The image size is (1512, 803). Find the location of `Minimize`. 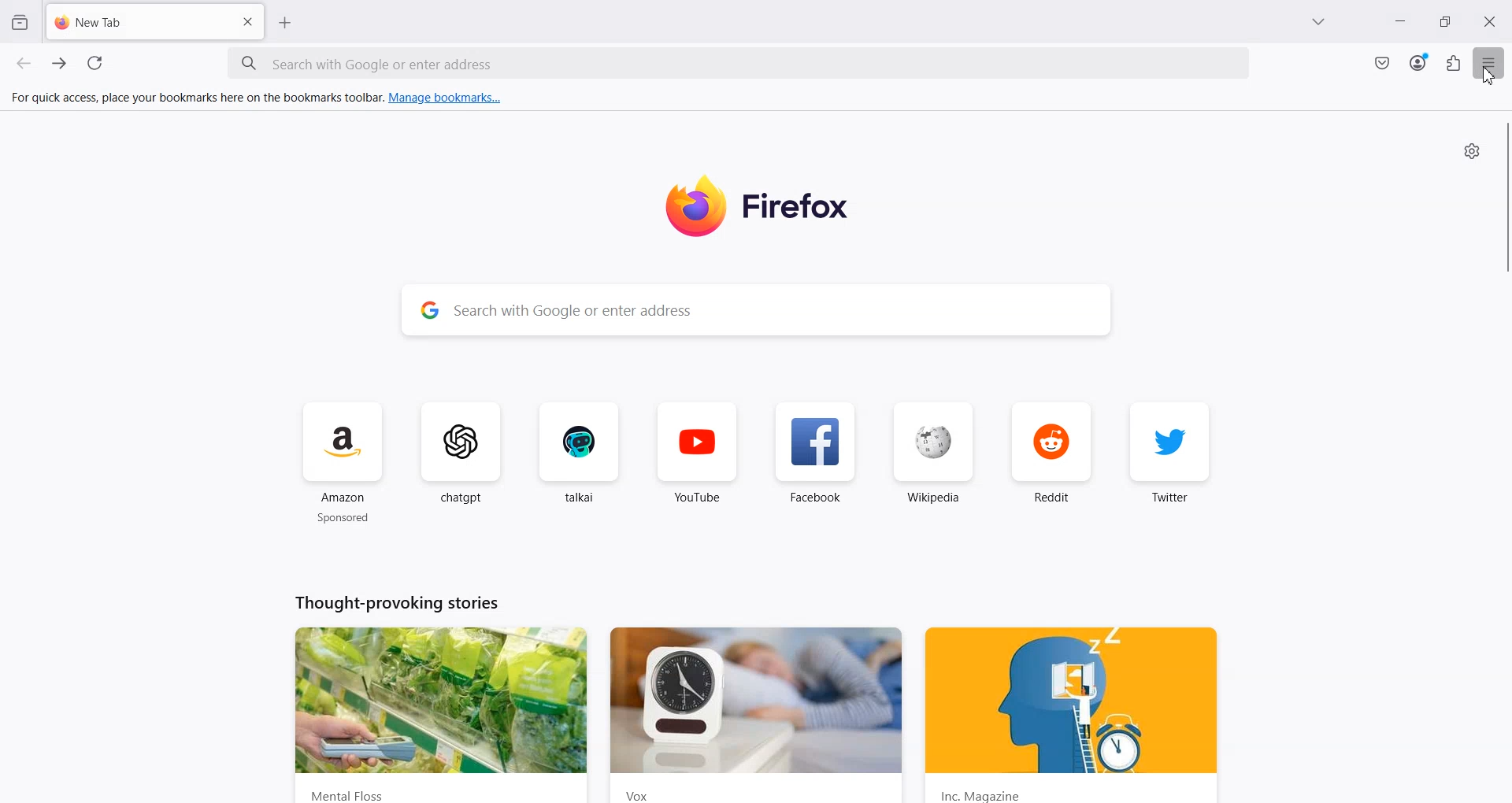

Minimize is located at coordinates (1399, 23).